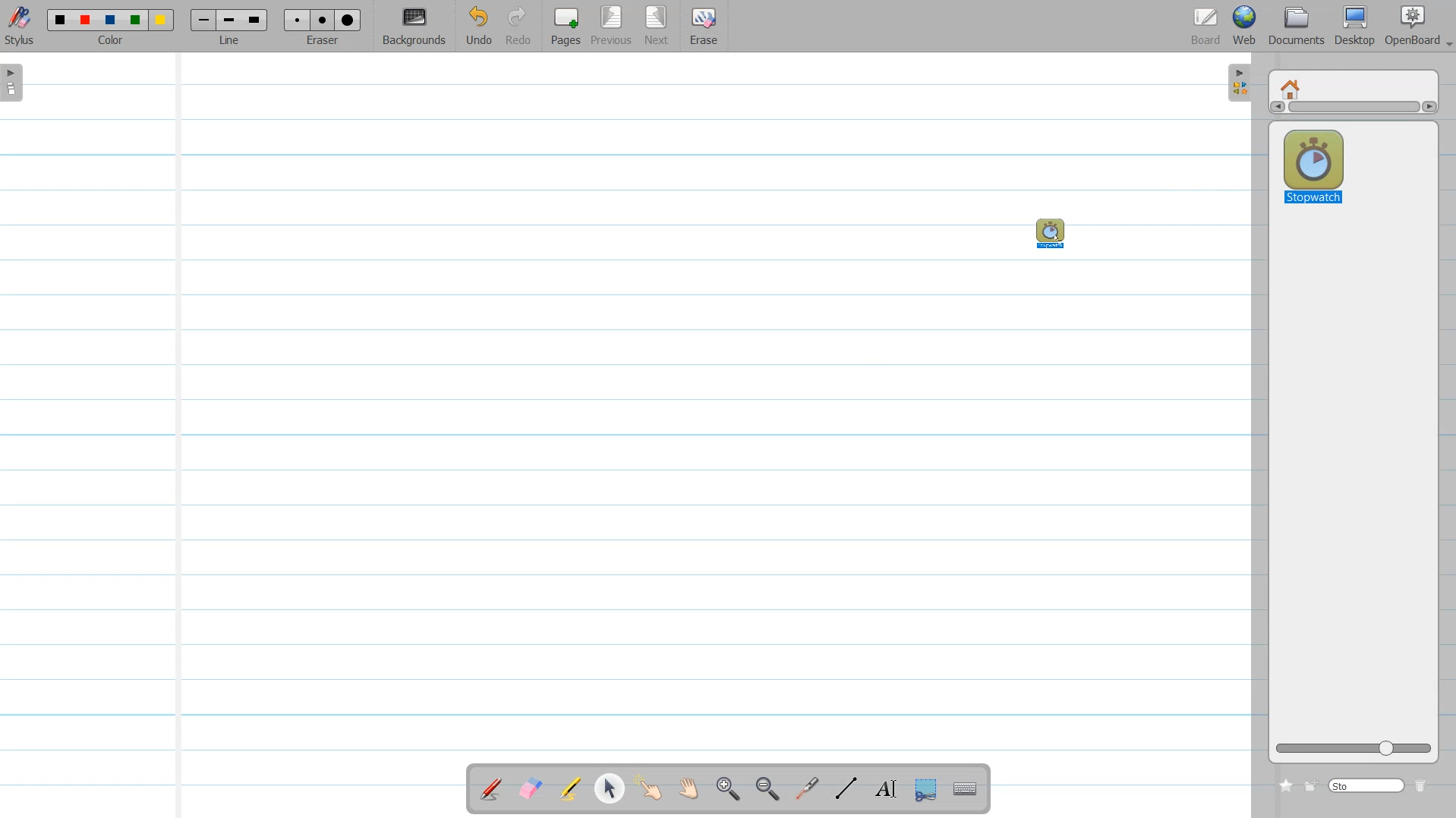 Image resolution: width=1456 pixels, height=818 pixels. I want to click on Stop watch drag cursor, so click(1052, 233).